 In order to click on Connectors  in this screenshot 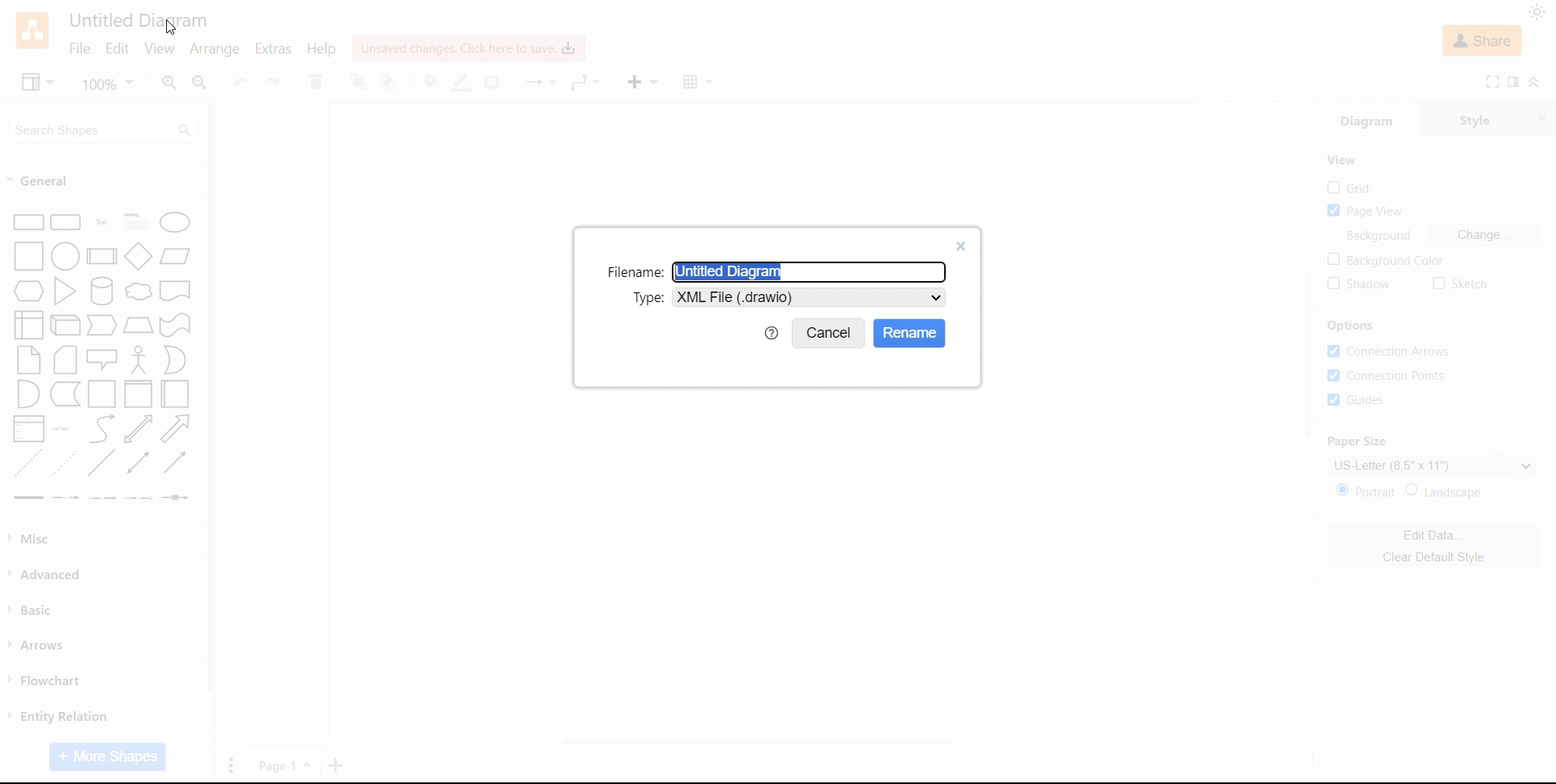, I will do `click(538, 83)`.